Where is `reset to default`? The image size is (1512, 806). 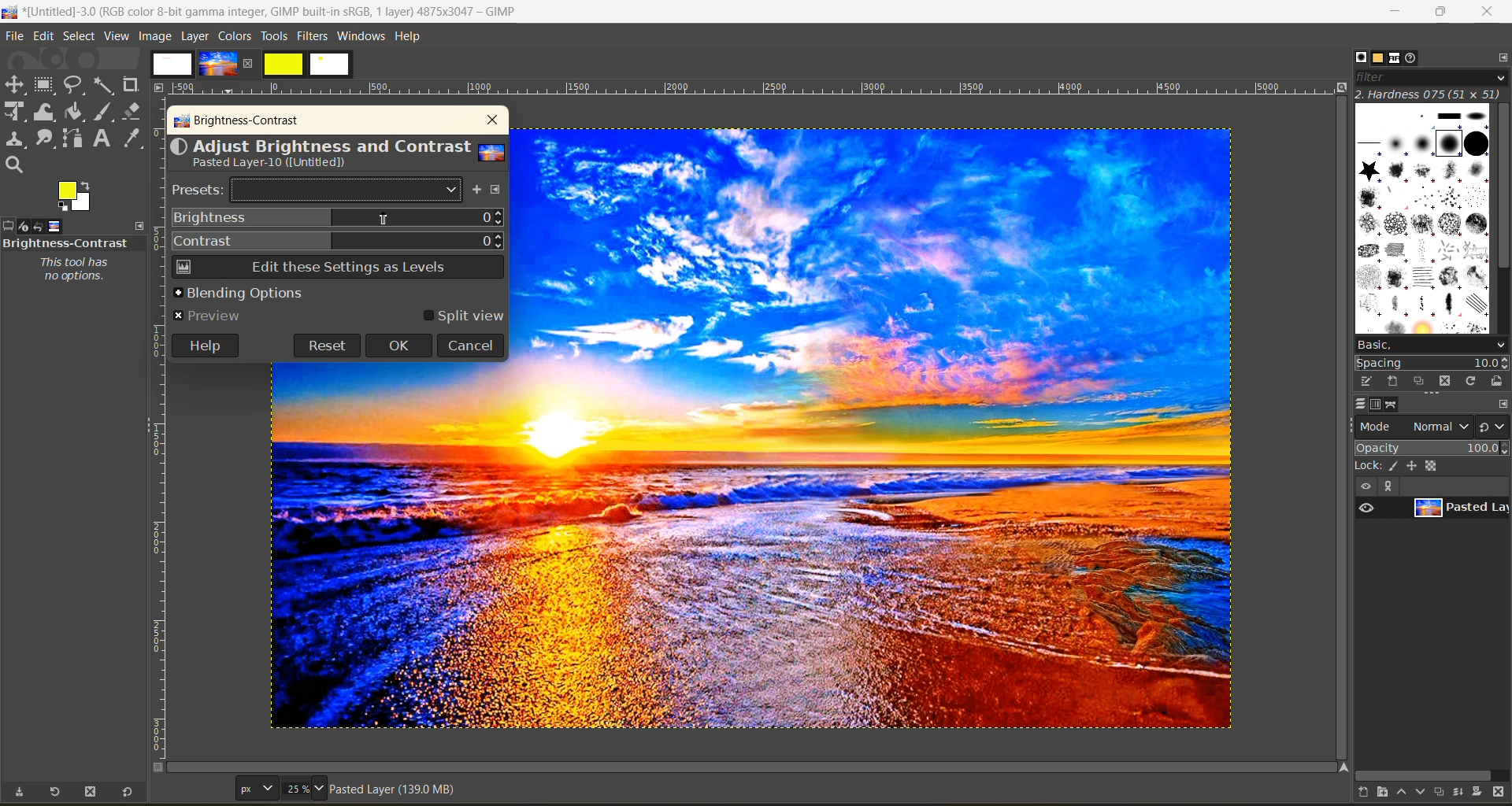
reset to default is located at coordinates (128, 791).